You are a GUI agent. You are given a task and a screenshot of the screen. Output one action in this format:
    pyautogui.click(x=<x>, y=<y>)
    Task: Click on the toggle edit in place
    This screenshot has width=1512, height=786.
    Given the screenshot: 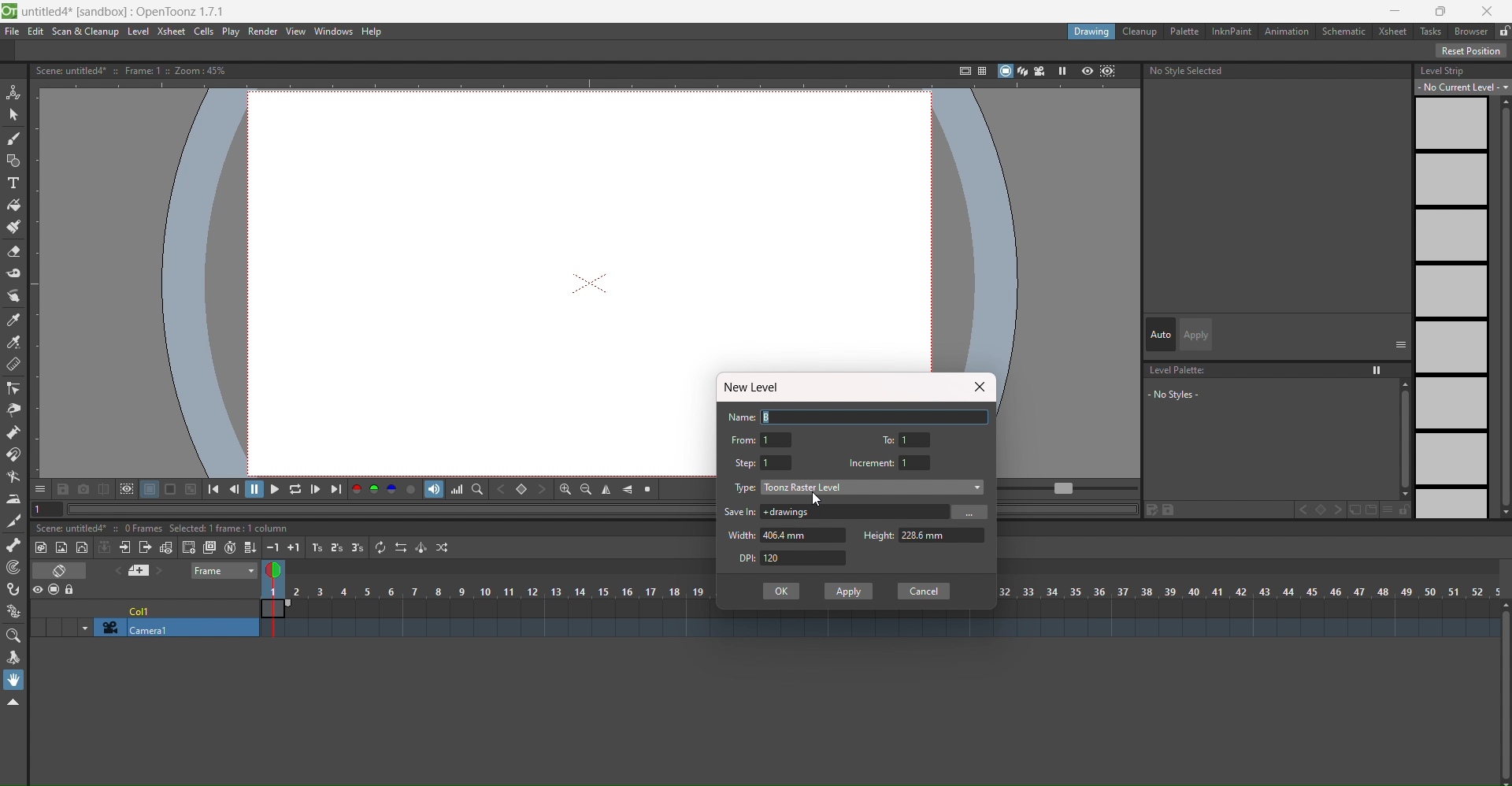 What is the action you would take?
    pyautogui.click(x=165, y=547)
    